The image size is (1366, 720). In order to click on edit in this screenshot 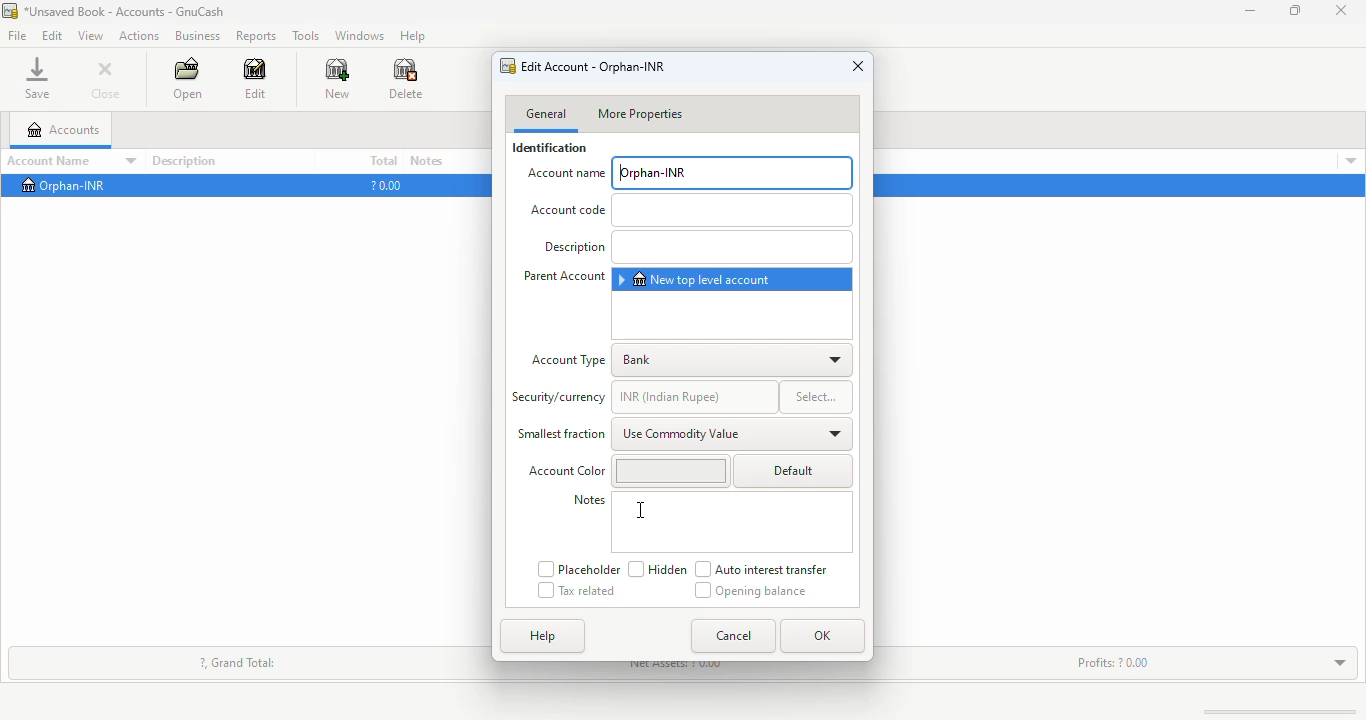, I will do `click(53, 35)`.